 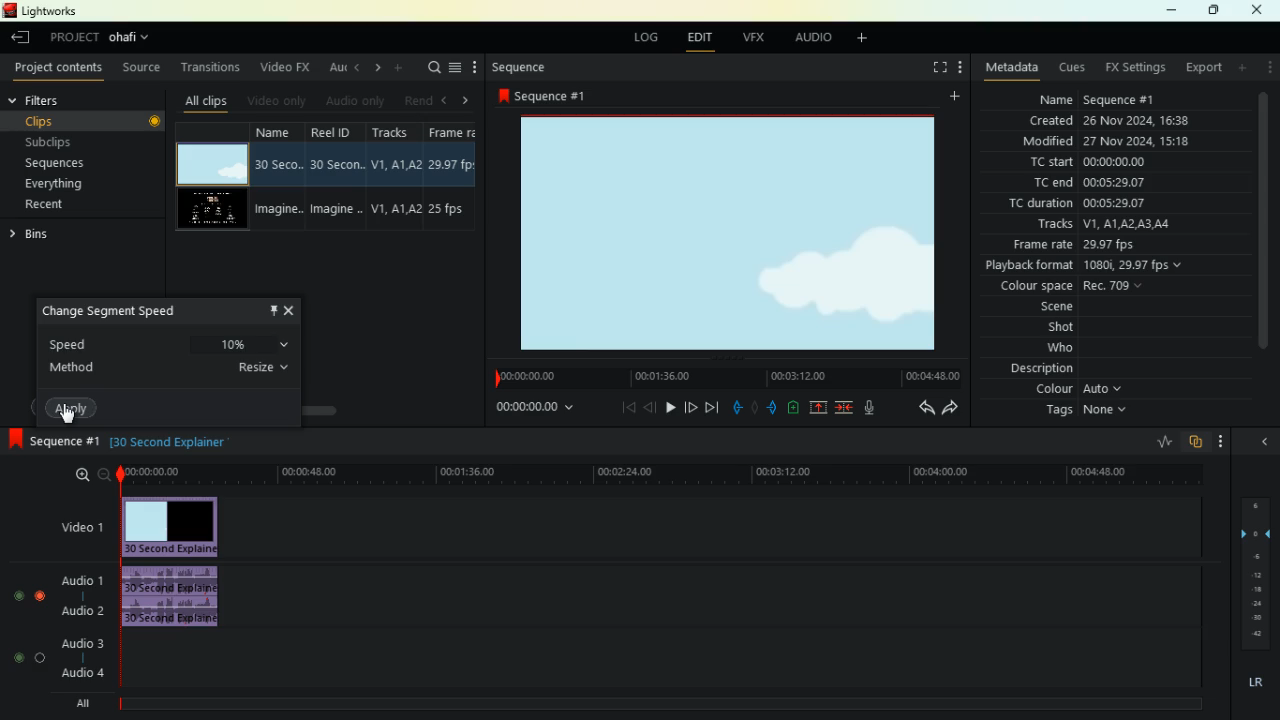 I want to click on left, so click(x=358, y=66).